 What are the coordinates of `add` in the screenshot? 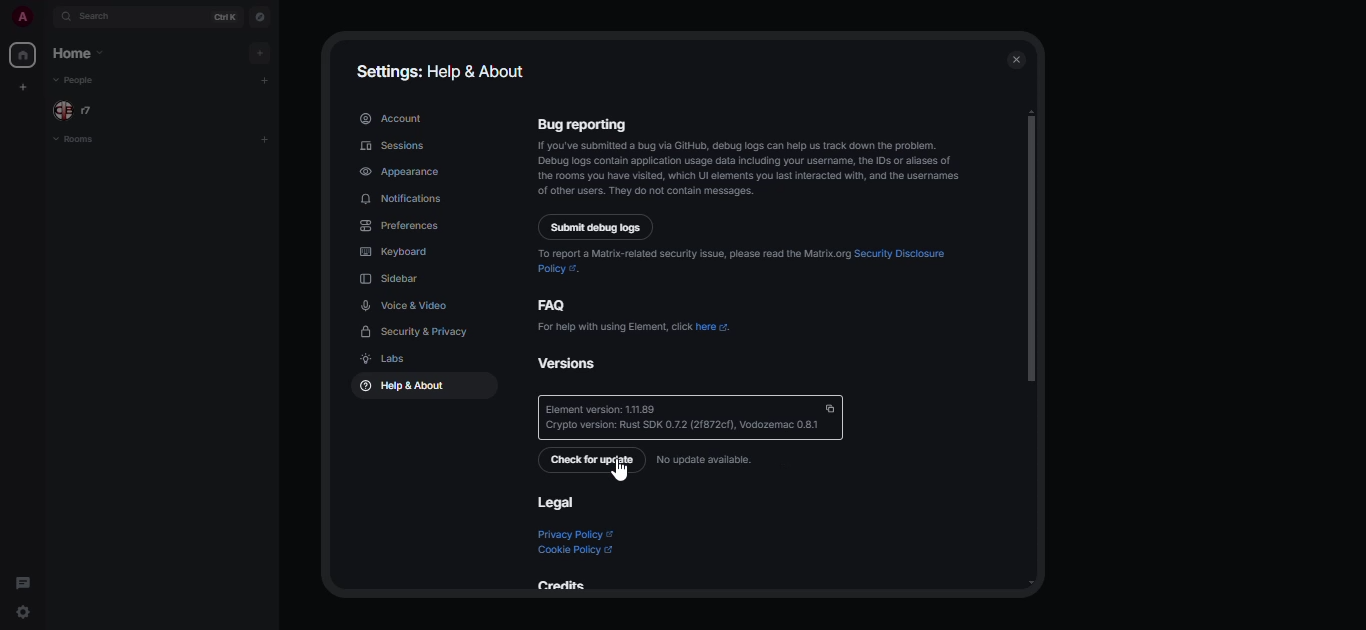 It's located at (267, 81).